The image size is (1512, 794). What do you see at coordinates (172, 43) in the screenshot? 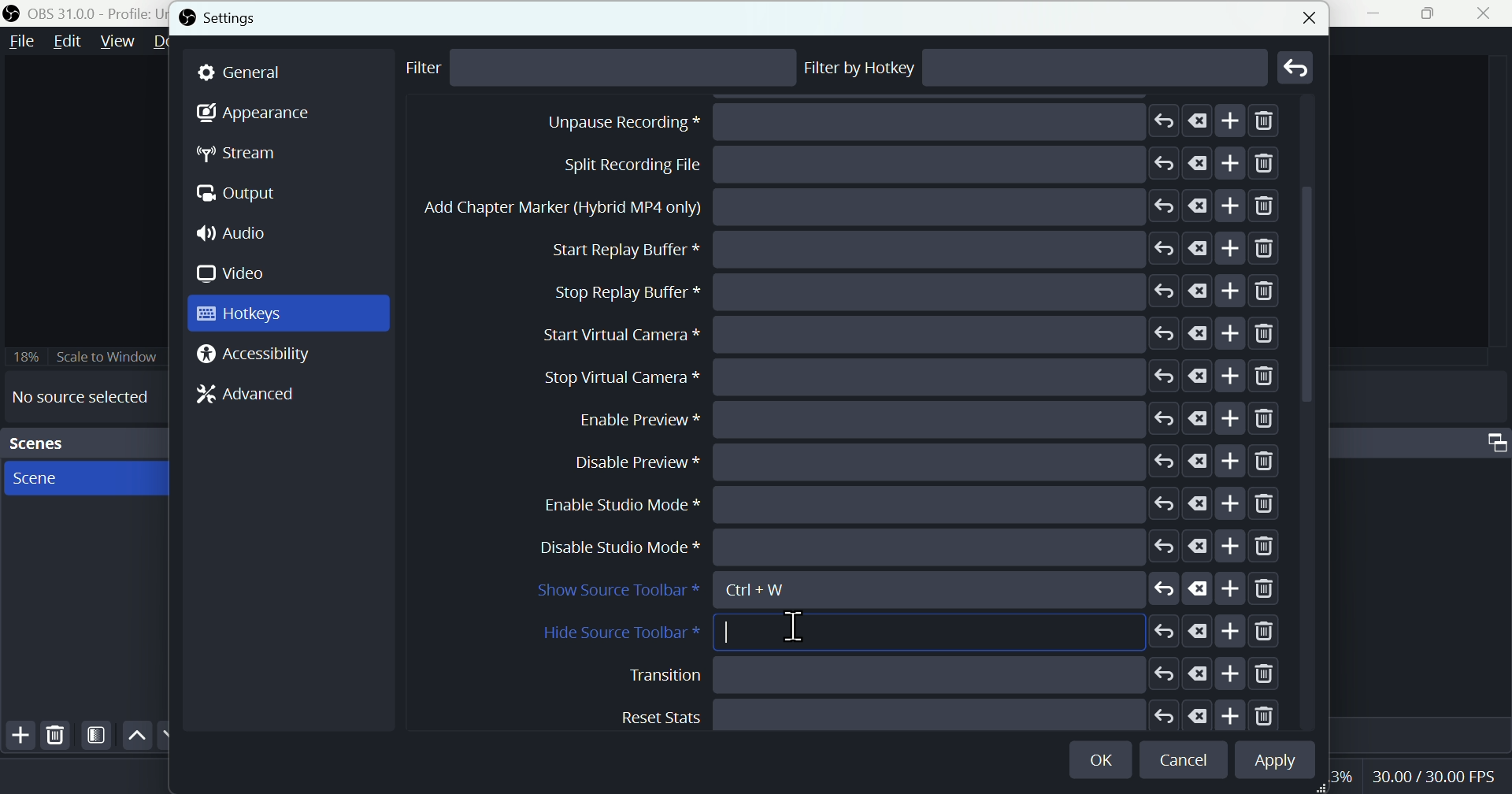
I see `Docks` at bounding box center [172, 43].